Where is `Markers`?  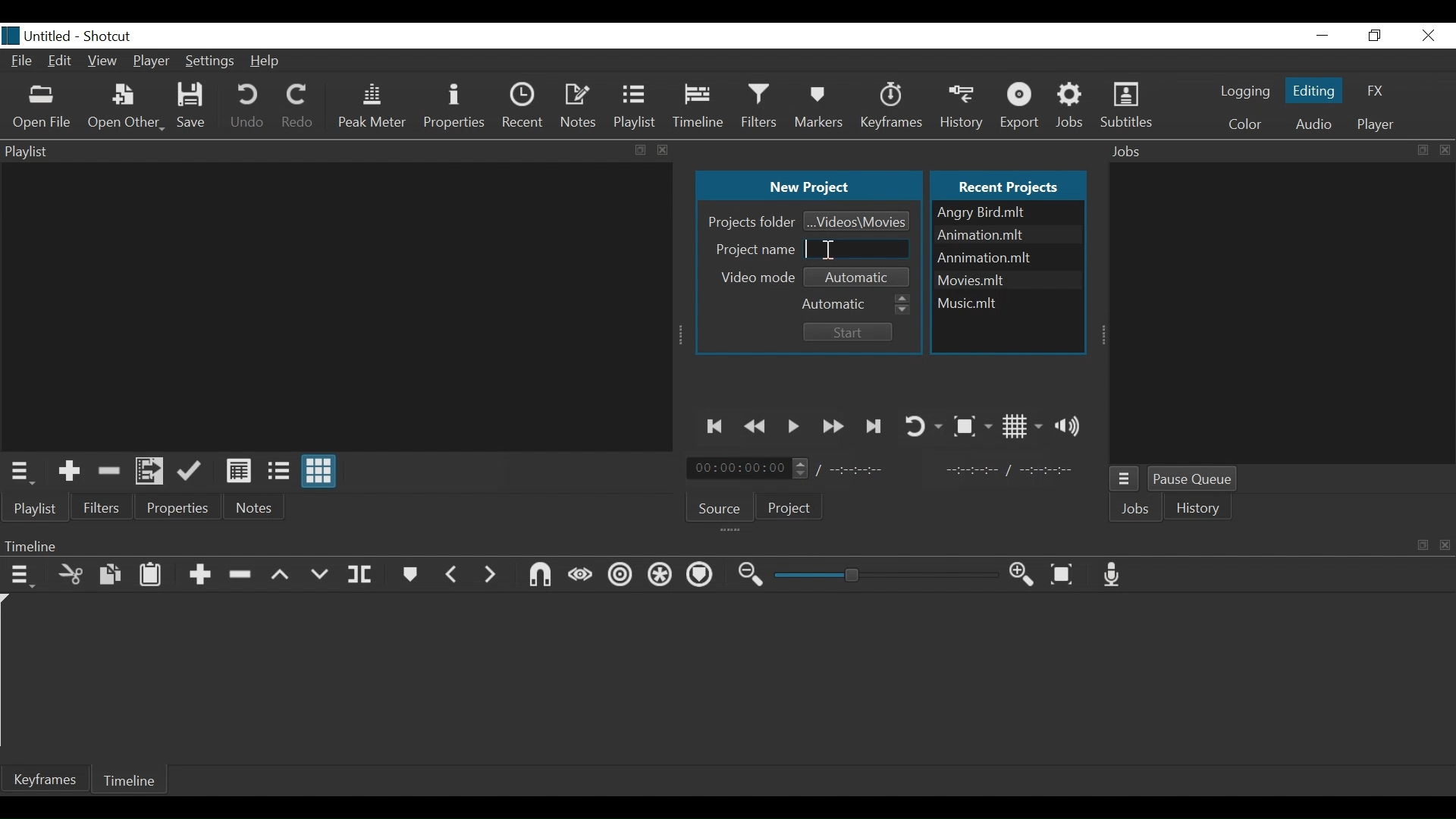 Markers is located at coordinates (411, 574).